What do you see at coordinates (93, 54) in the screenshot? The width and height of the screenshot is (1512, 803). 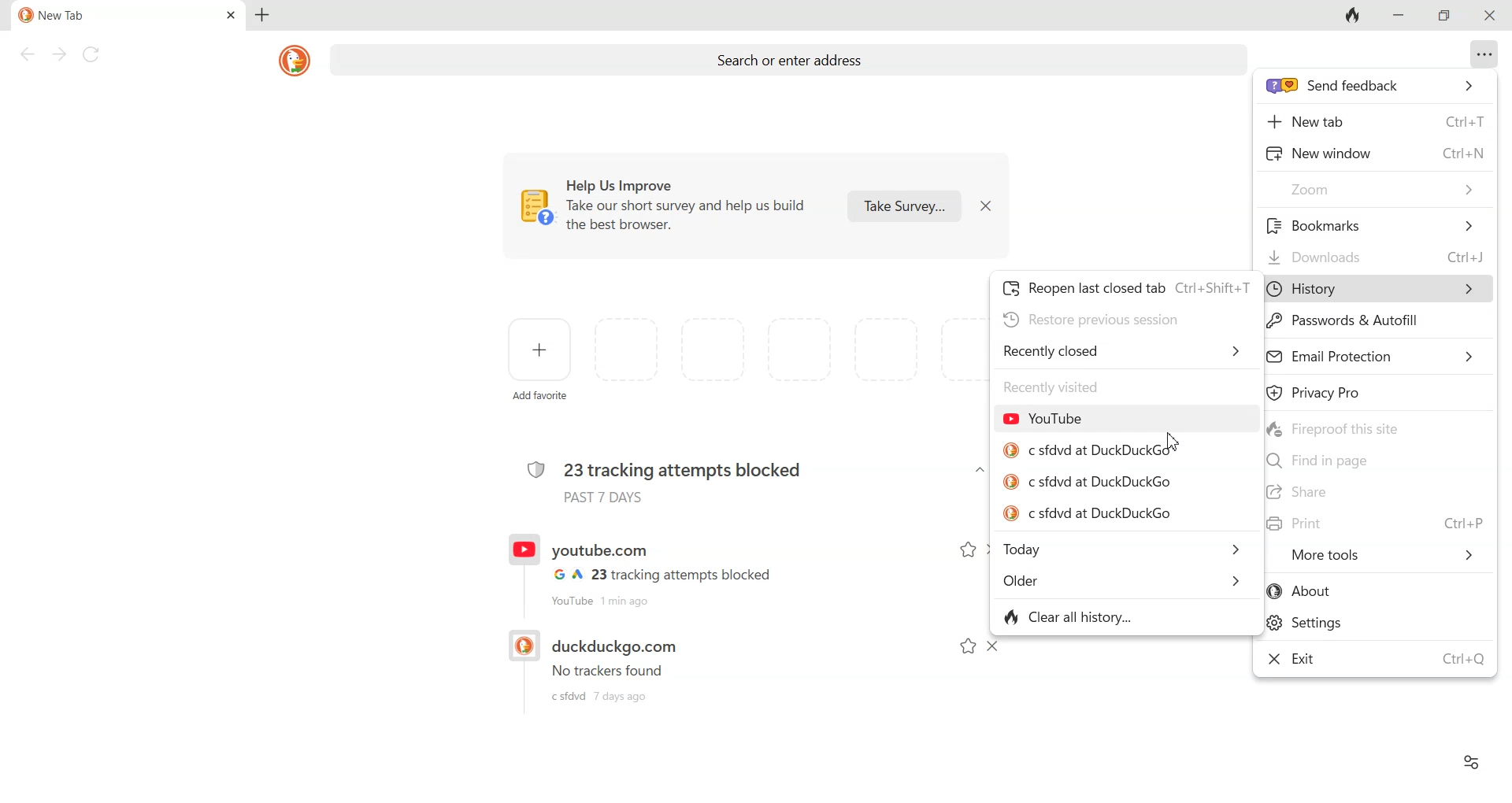 I see `Reload` at bounding box center [93, 54].